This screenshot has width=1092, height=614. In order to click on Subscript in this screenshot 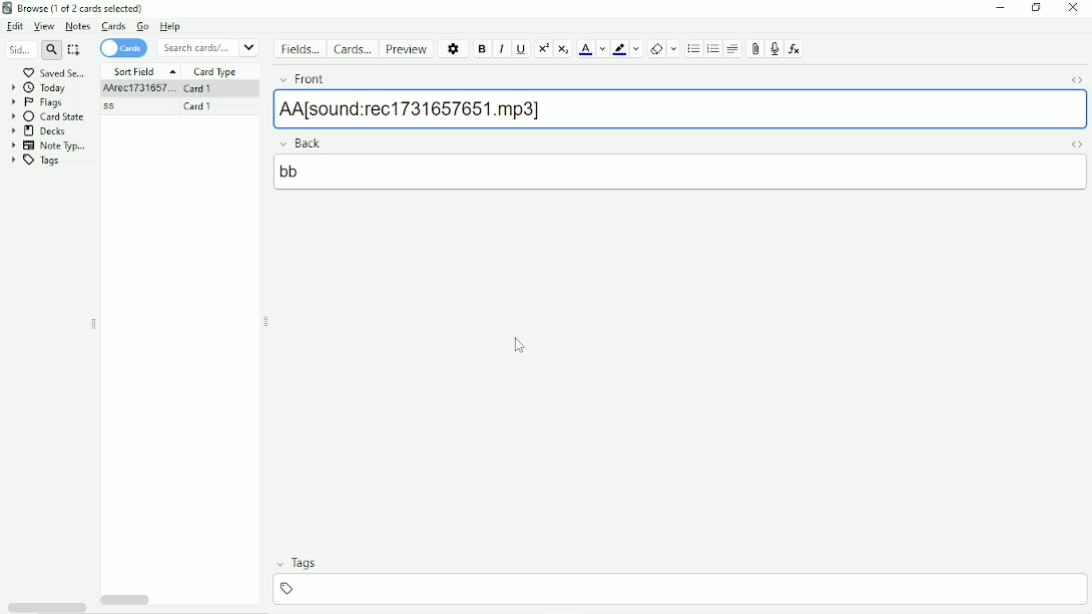, I will do `click(564, 48)`.